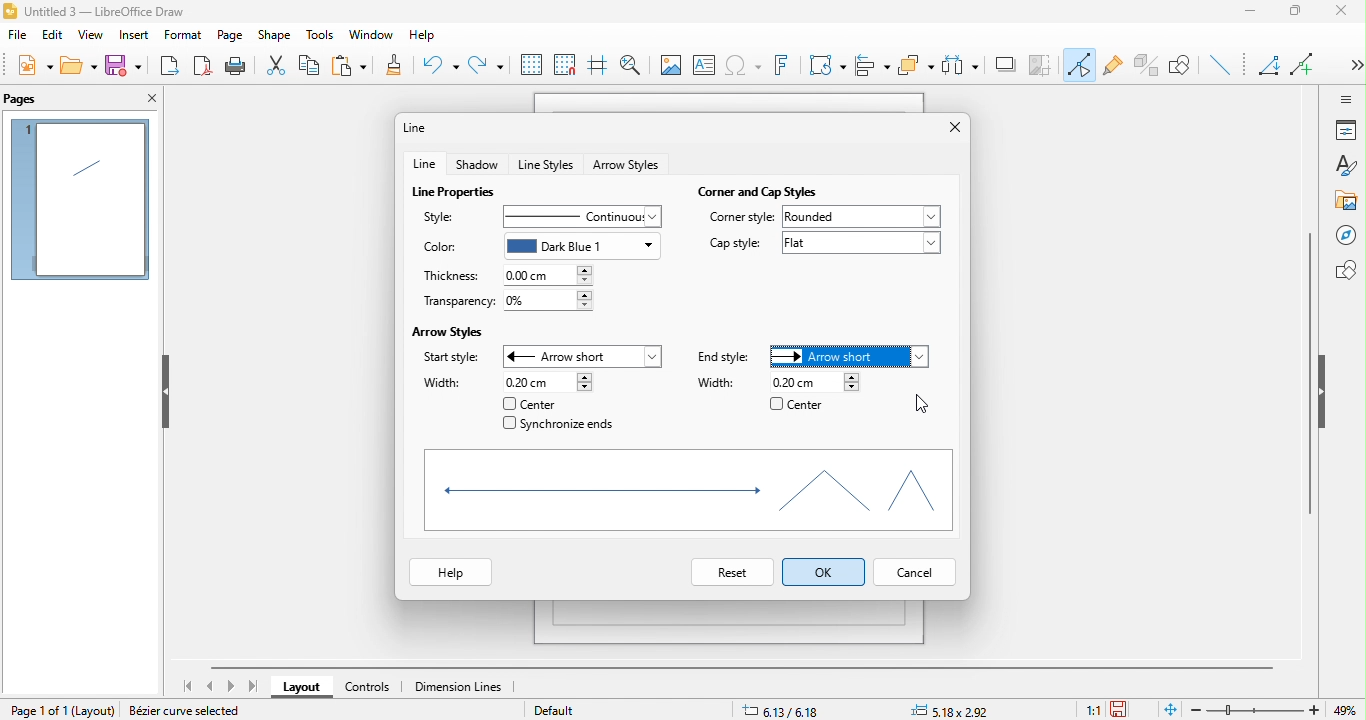 This screenshot has height=720, width=1366. I want to click on helpline while moving, so click(596, 67).